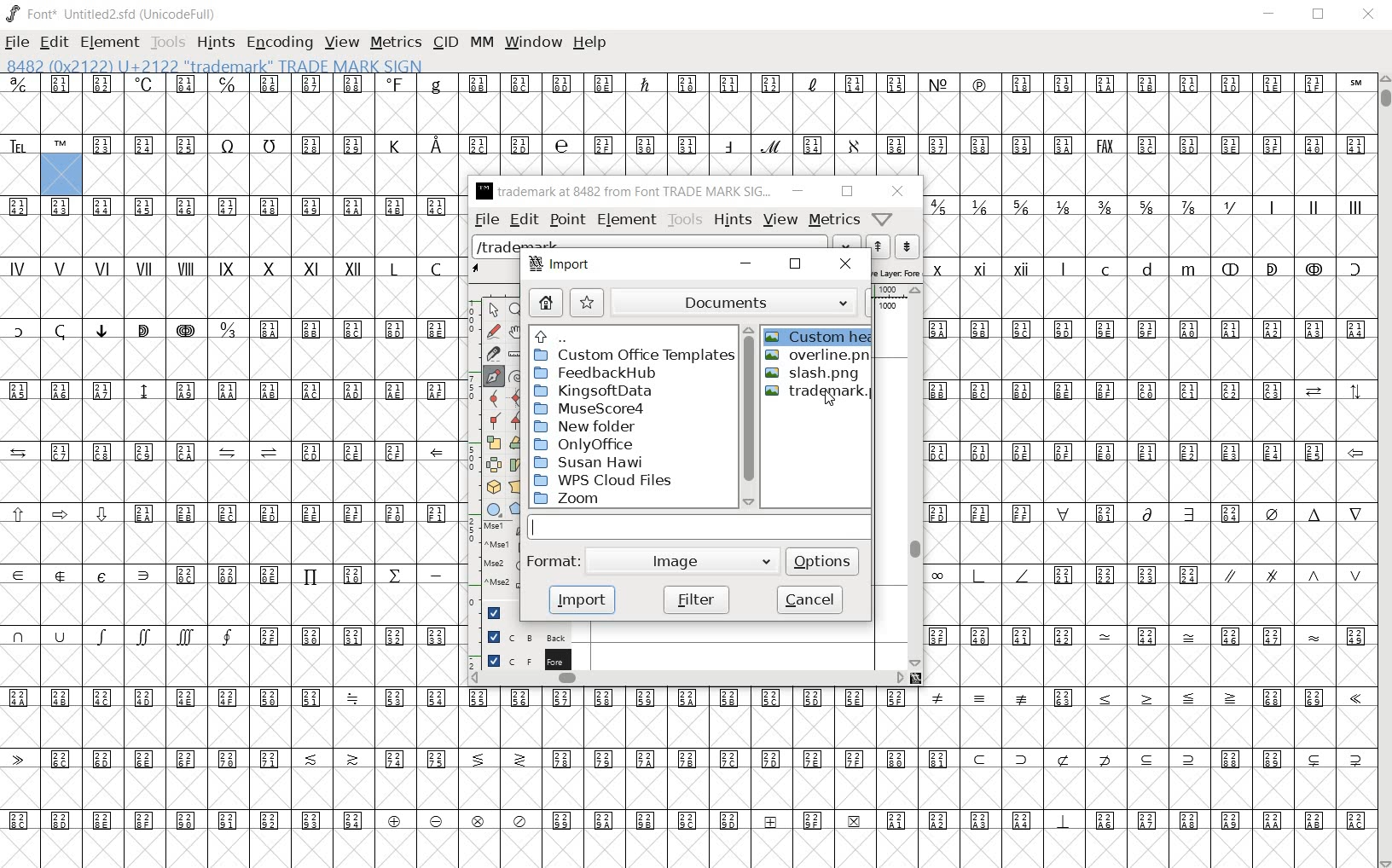 The height and width of the screenshot is (868, 1392). Describe the element at coordinates (555, 558) in the screenshot. I see `format` at that location.